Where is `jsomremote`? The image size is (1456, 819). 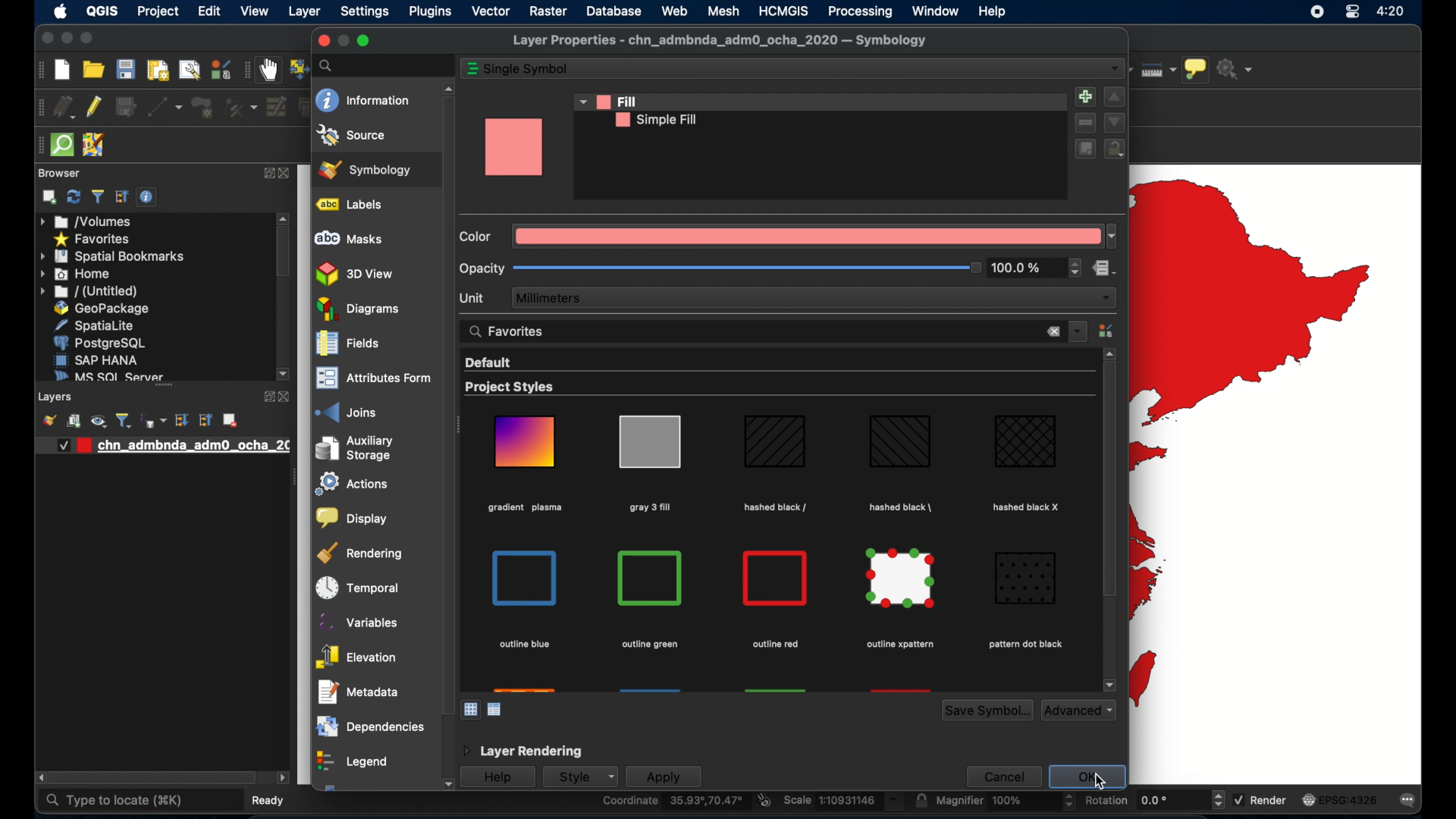
jsomremote is located at coordinates (93, 146).